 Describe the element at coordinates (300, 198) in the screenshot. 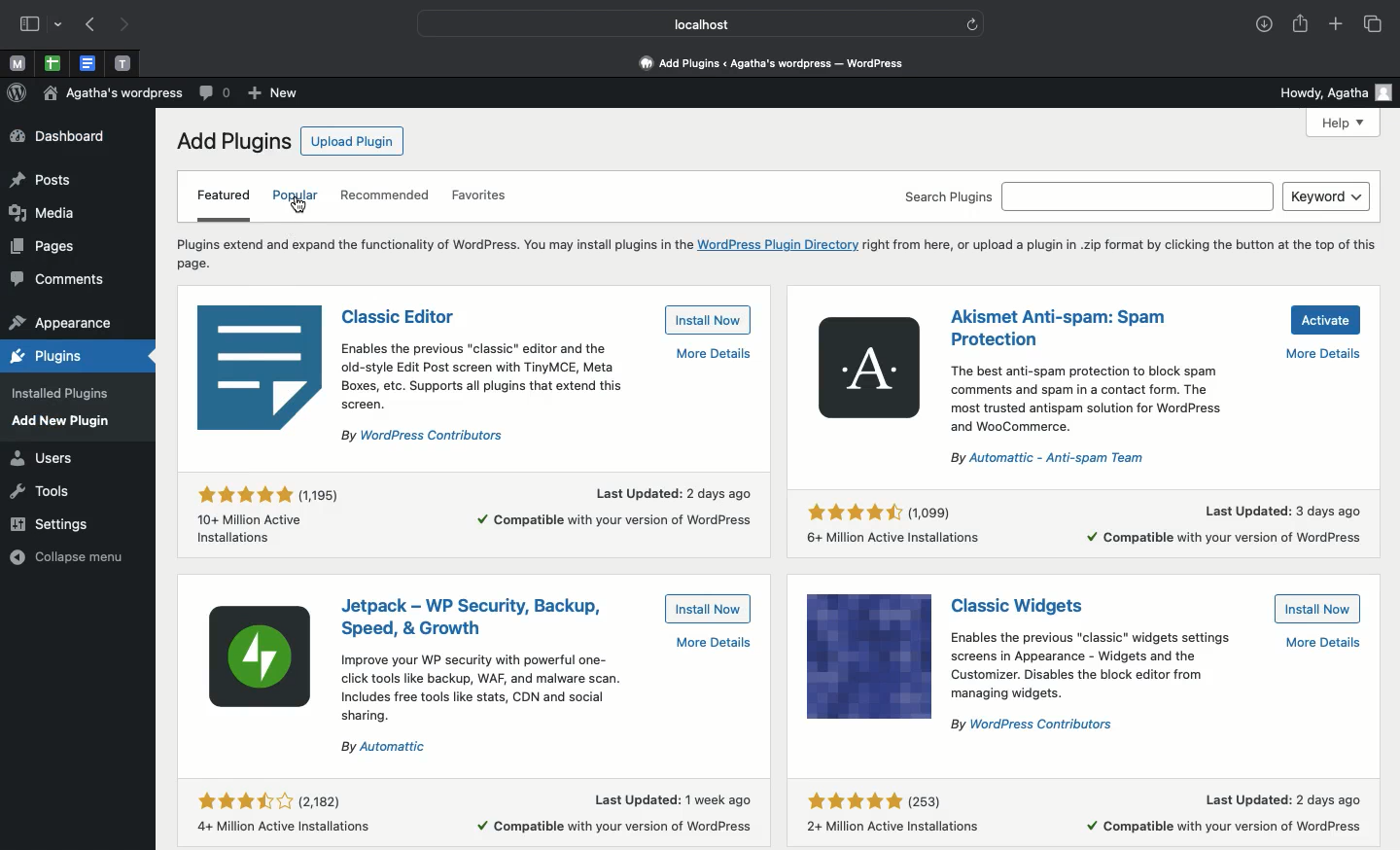

I see `Popular` at that location.